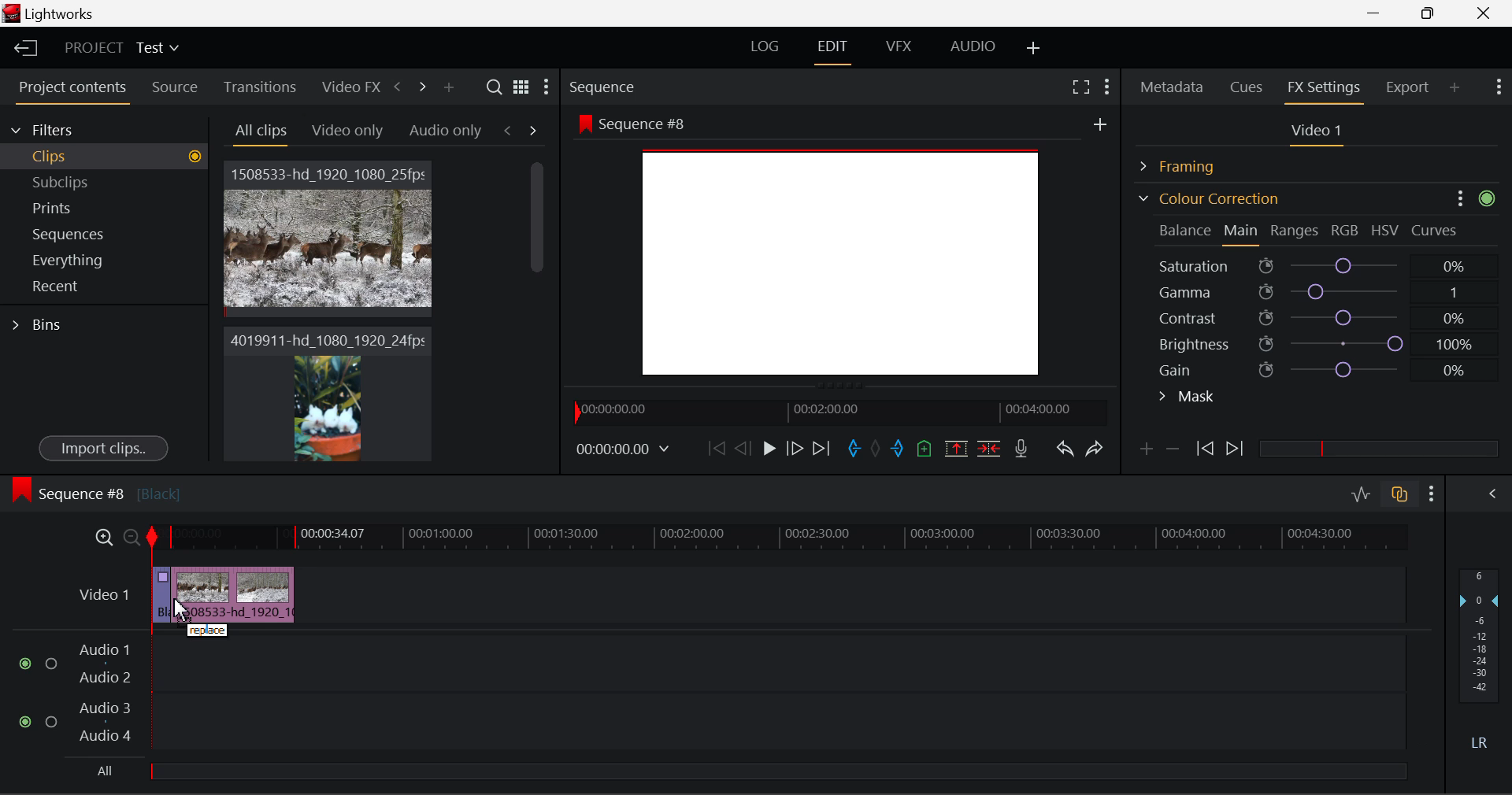  I want to click on Show Settings, so click(545, 91).